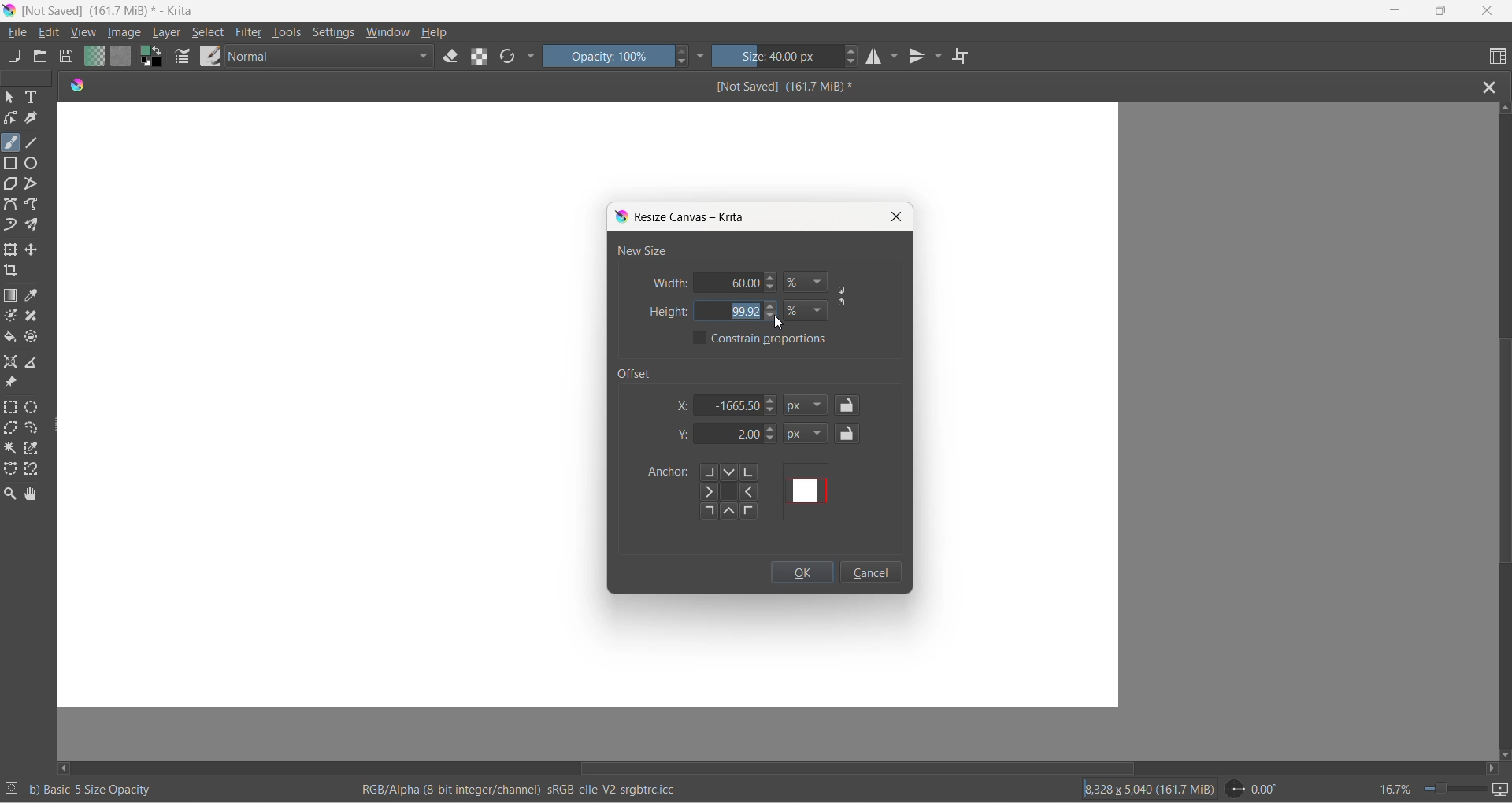 The image size is (1512, 803). I want to click on width value box, so click(717, 282).